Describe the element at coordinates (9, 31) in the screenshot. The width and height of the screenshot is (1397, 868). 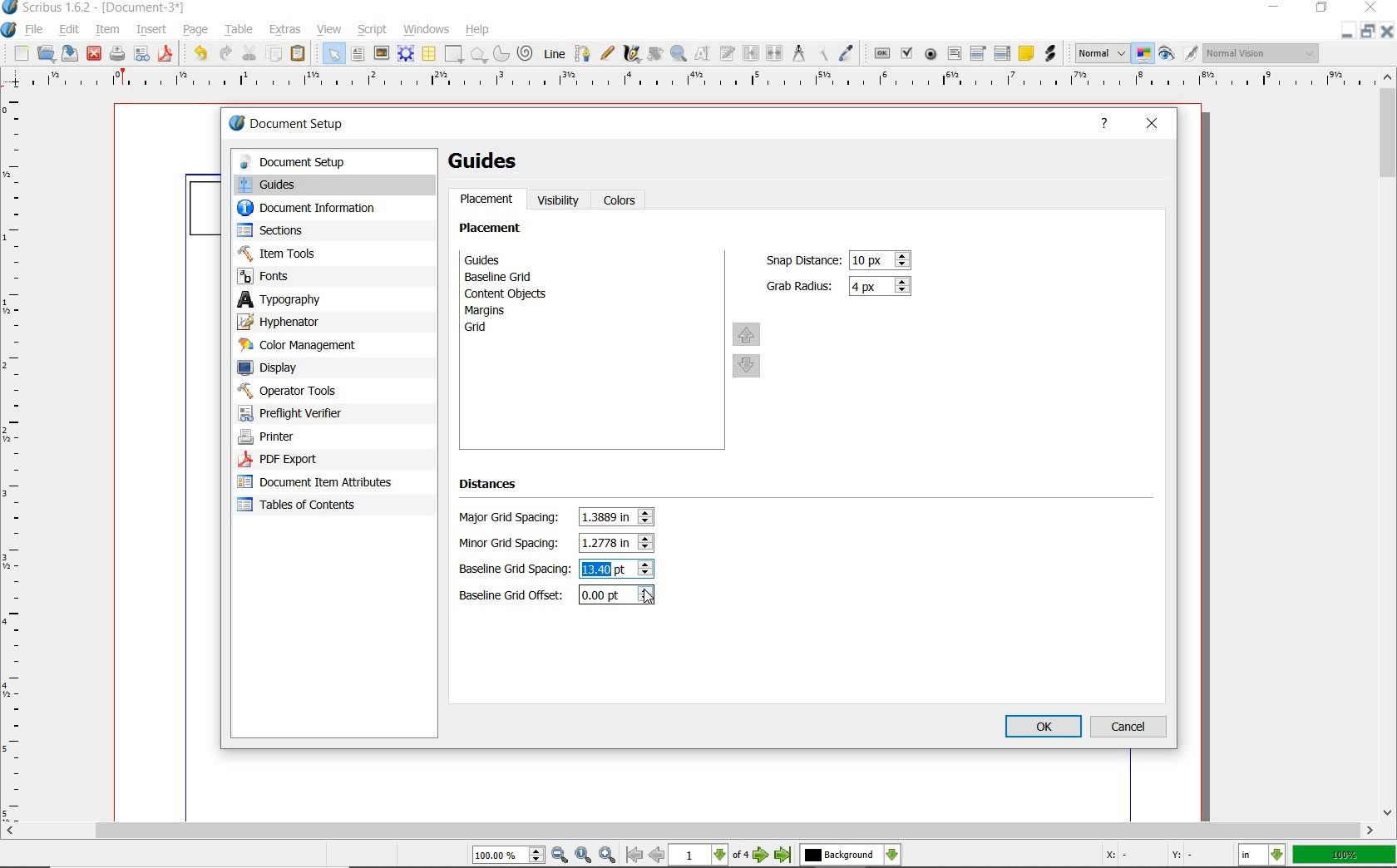
I see `system logo` at that location.